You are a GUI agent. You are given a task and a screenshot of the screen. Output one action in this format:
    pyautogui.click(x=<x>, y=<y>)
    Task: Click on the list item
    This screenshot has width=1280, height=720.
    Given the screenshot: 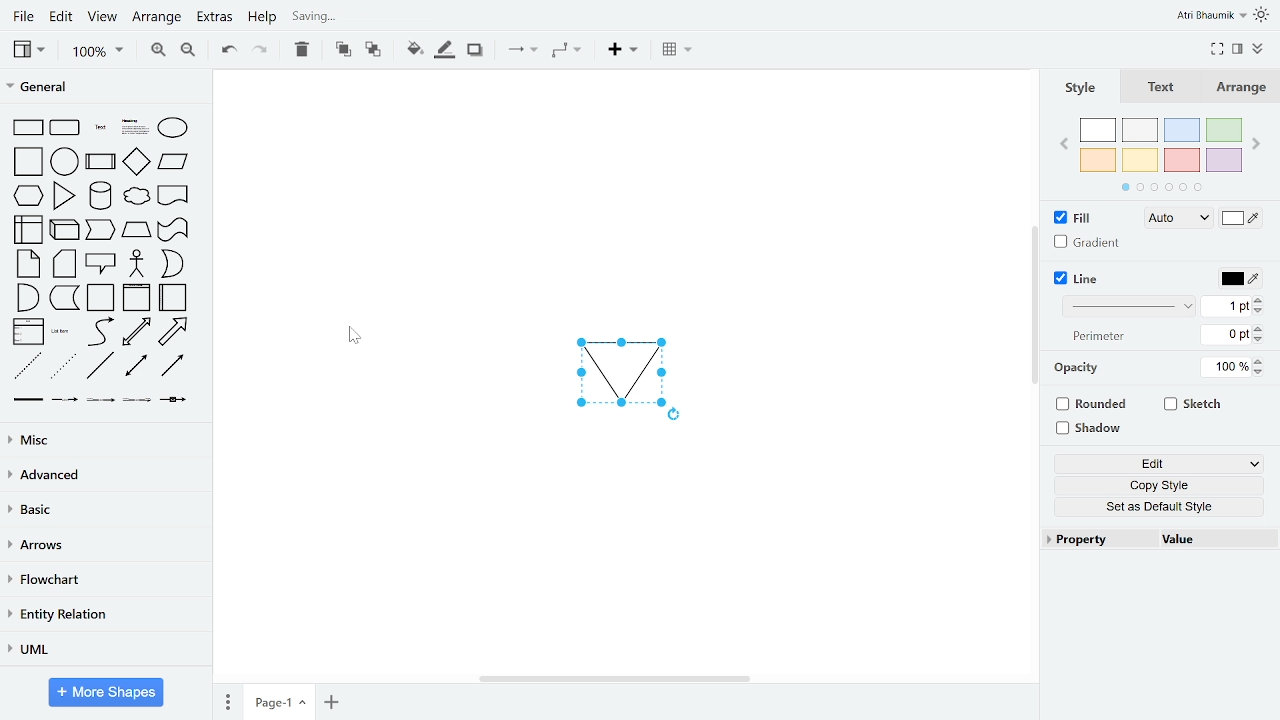 What is the action you would take?
    pyautogui.click(x=62, y=333)
    